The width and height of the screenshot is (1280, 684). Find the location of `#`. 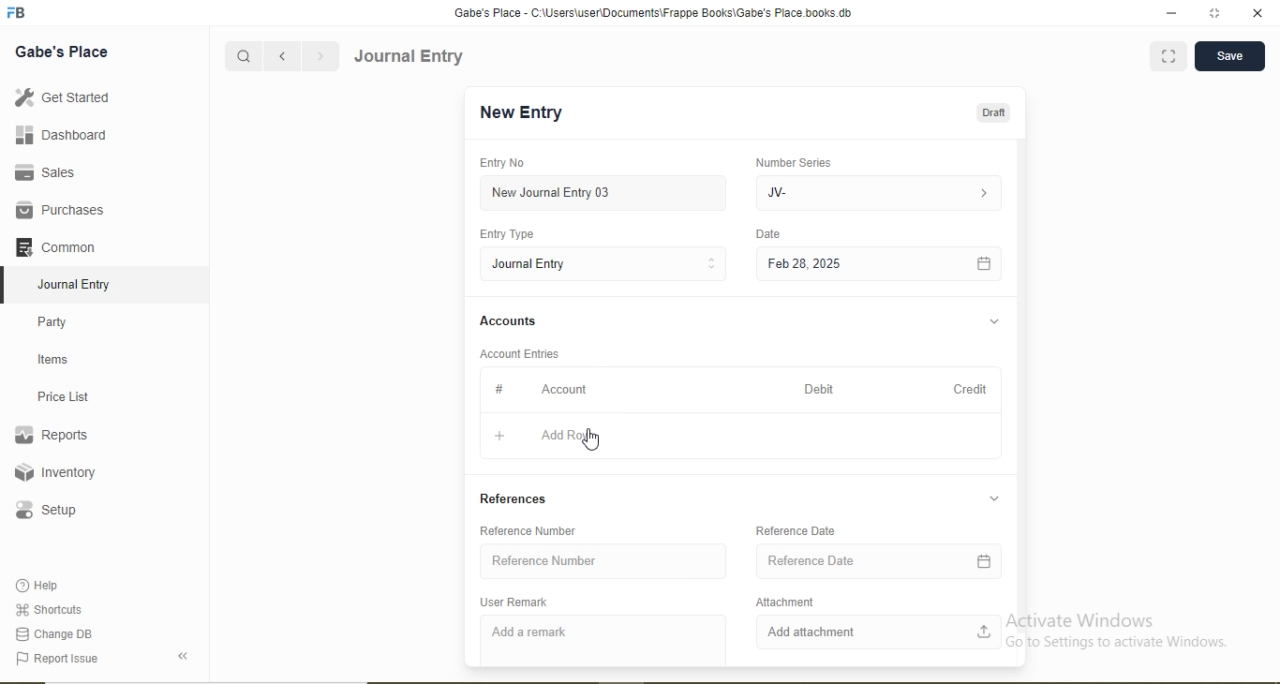

# is located at coordinates (500, 388).